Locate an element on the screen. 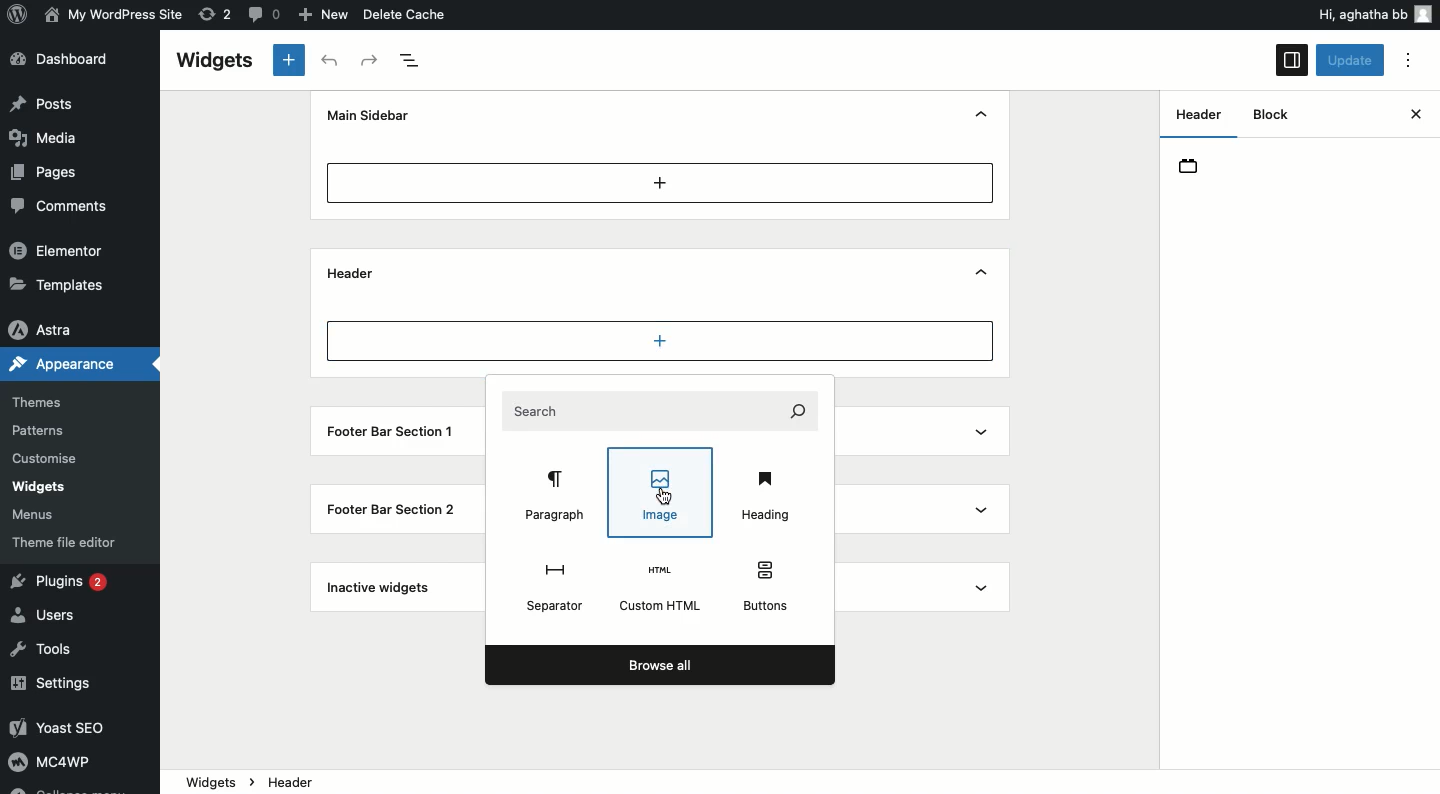 The height and width of the screenshot is (794, 1440). Themes is located at coordinates (37, 403).